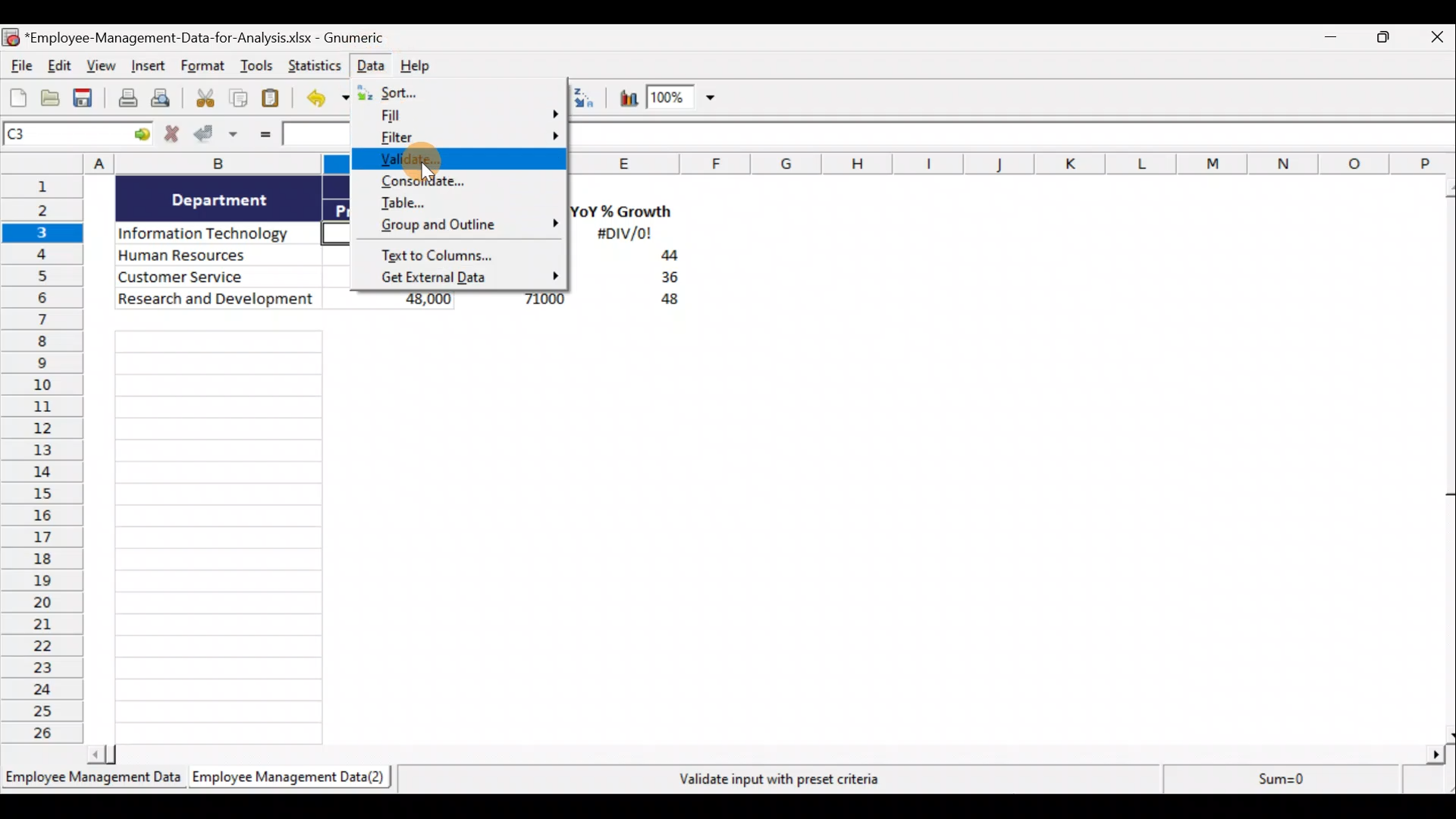  I want to click on Minimize, so click(1336, 40).